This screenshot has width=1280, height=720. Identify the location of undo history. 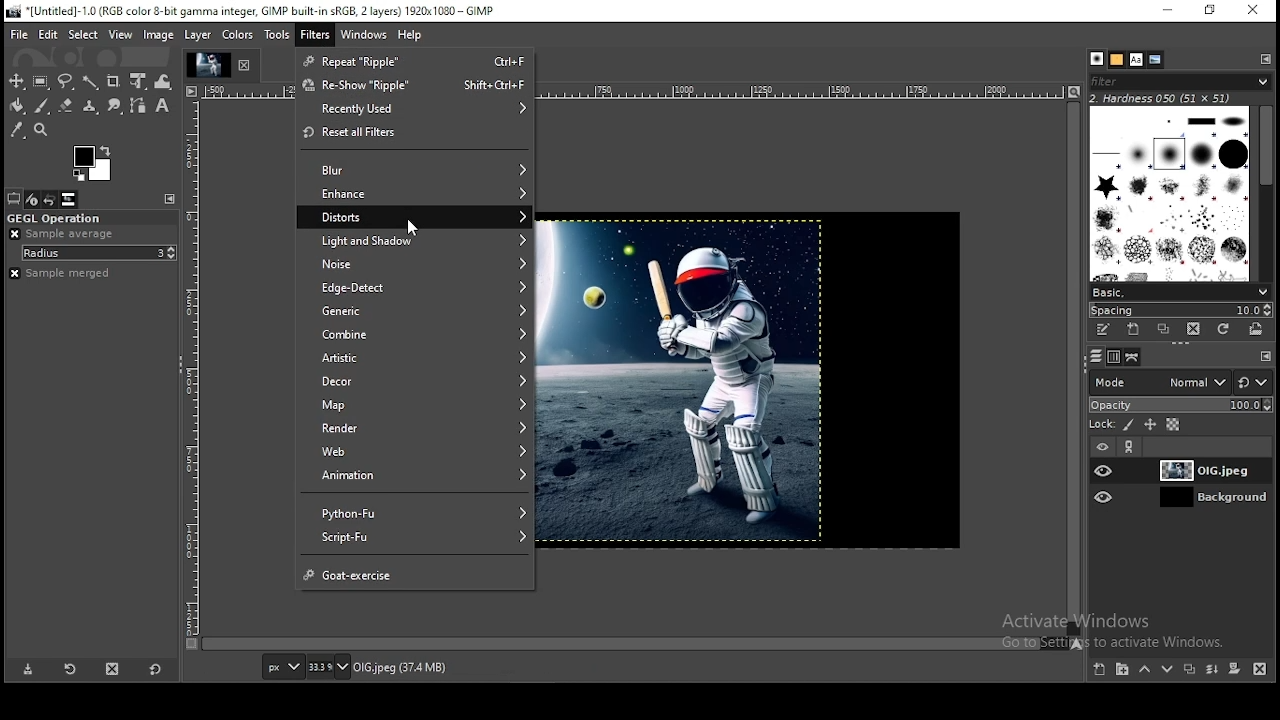
(51, 200).